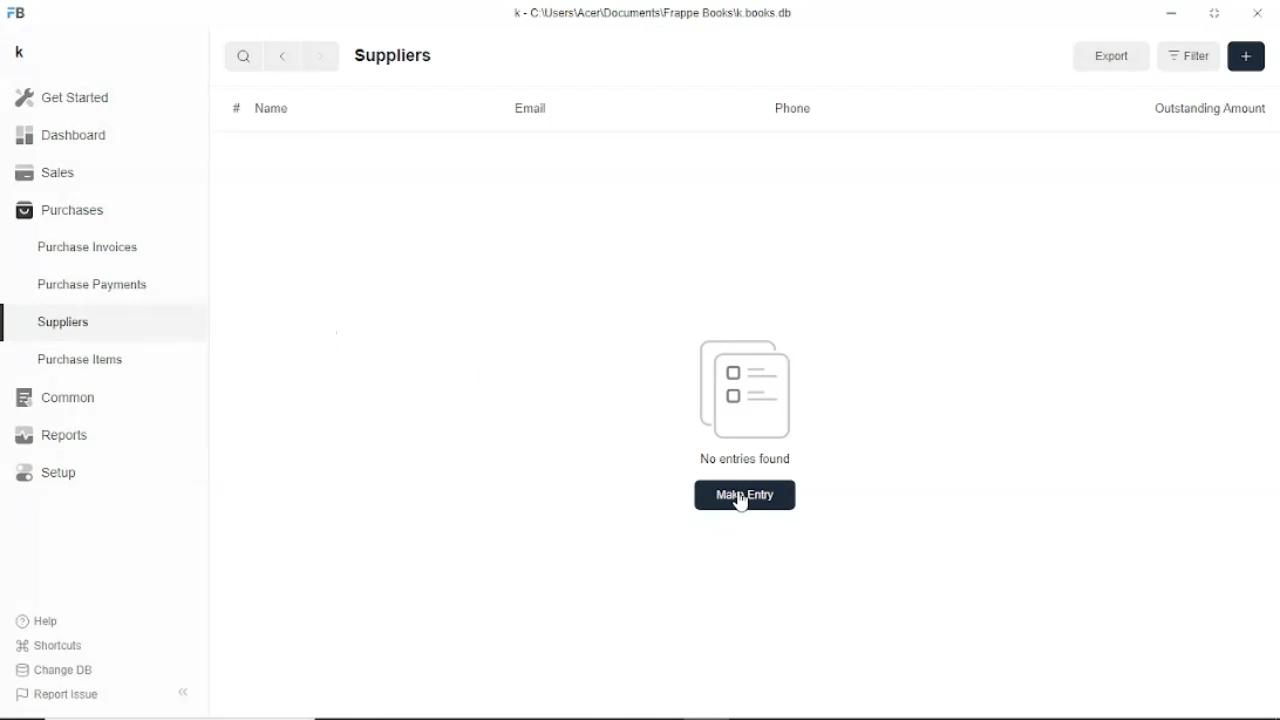 This screenshot has width=1280, height=720. What do you see at coordinates (1111, 55) in the screenshot?
I see `Export` at bounding box center [1111, 55].